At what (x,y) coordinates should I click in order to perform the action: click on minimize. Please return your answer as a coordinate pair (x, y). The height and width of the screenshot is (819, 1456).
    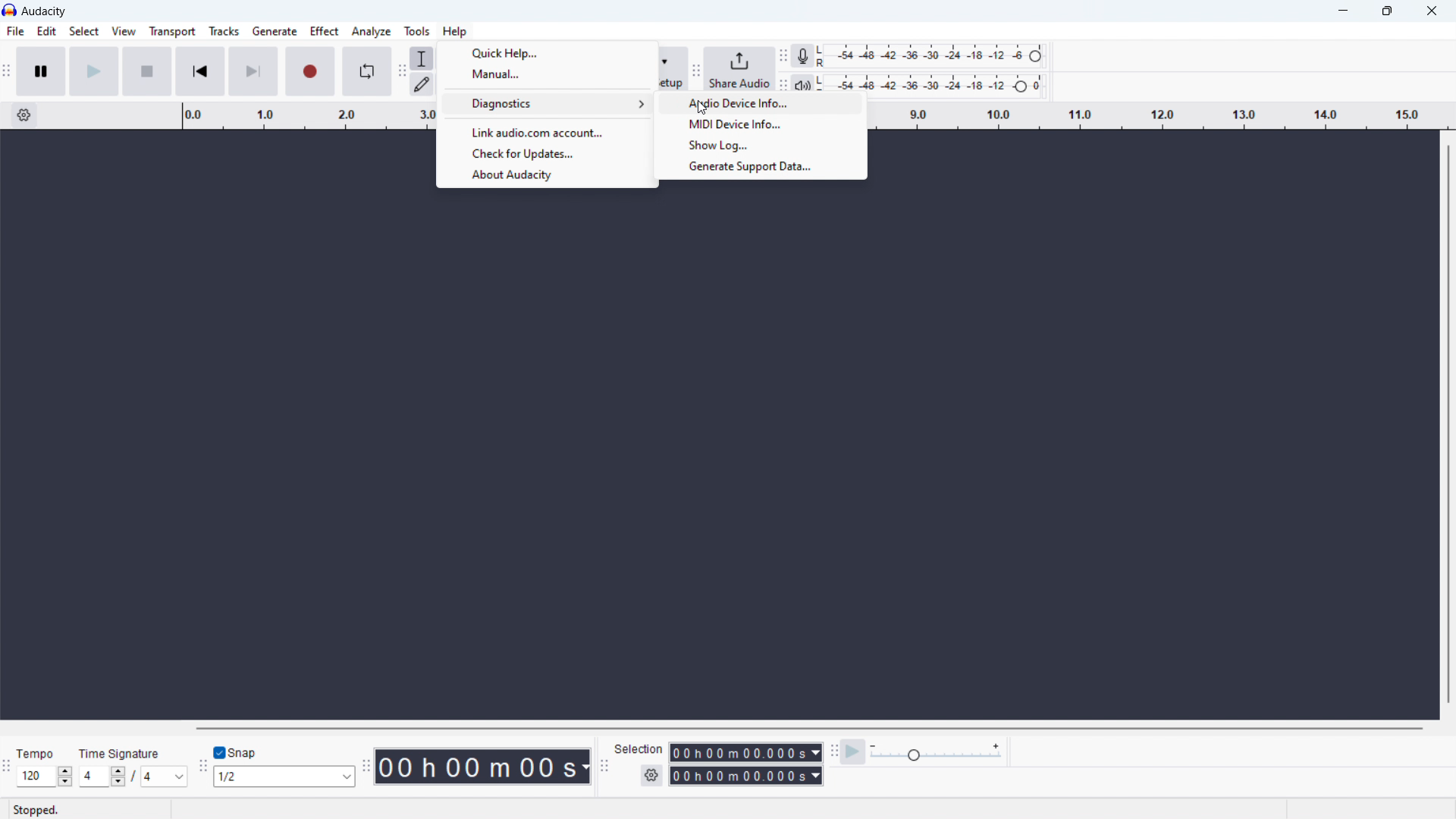
    Looking at the image, I should click on (1339, 11).